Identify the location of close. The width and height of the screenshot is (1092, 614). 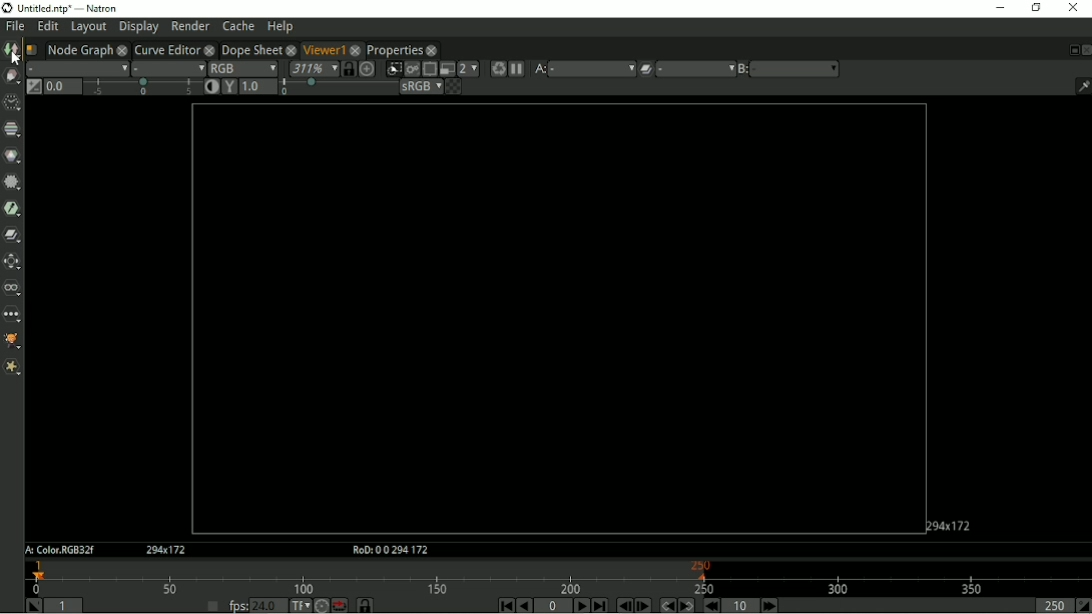
(356, 49).